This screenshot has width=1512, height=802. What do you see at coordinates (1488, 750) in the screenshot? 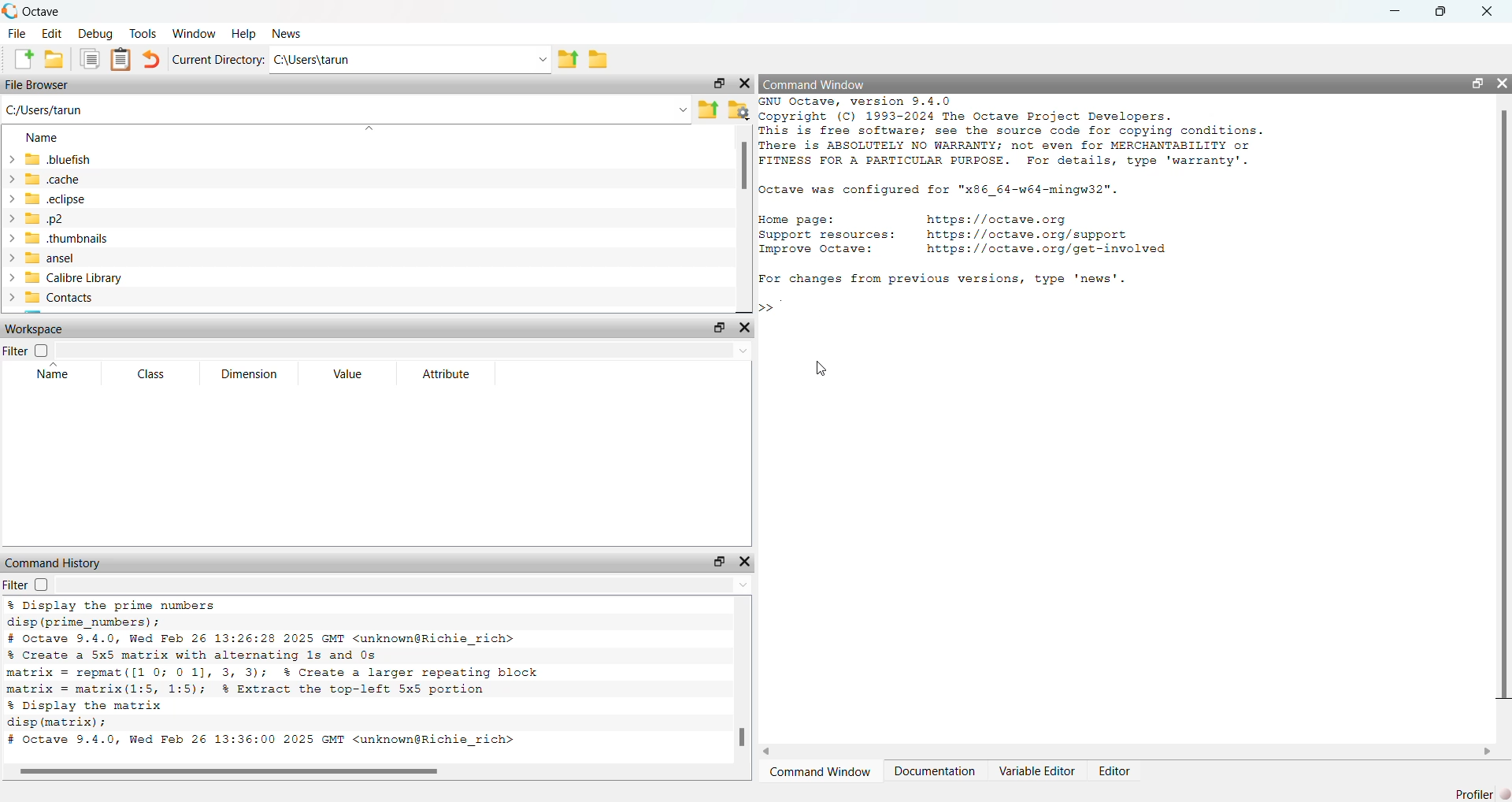
I see `move right` at bounding box center [1488, 750].